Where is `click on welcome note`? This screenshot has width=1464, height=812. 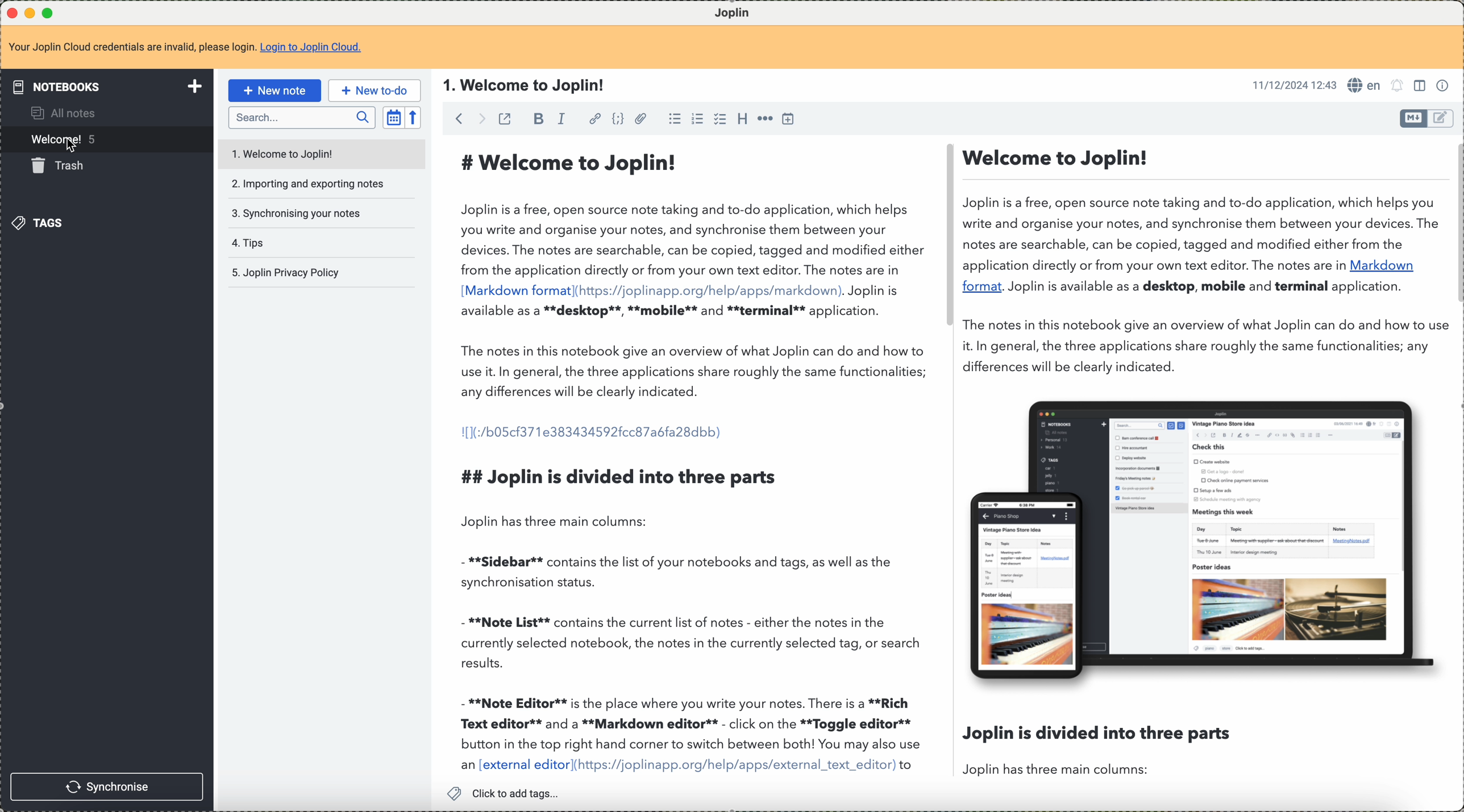 click on welcome note is located at coordinates (105, 141).